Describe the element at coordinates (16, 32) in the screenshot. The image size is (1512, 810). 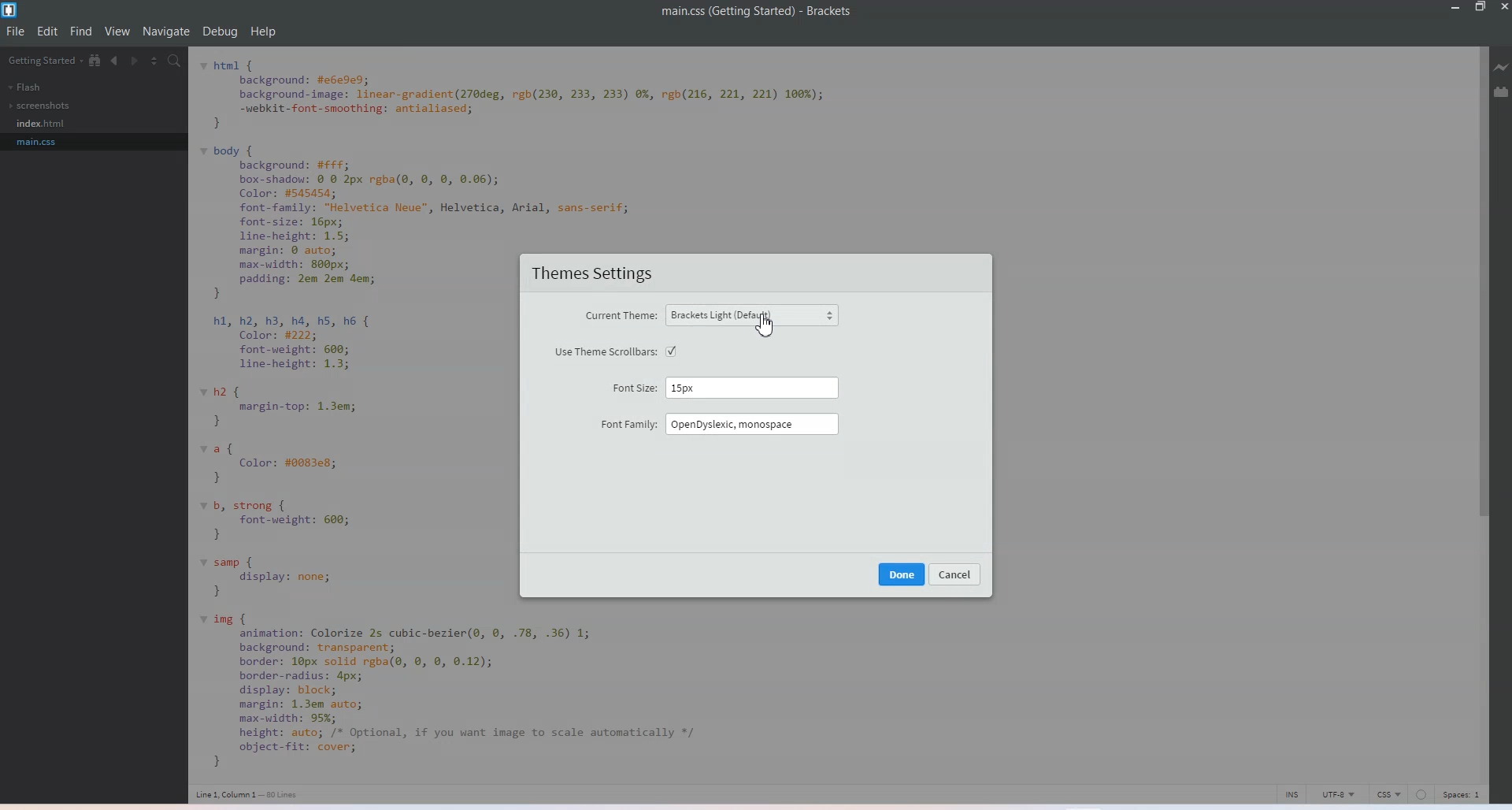
I see `File` at that location.